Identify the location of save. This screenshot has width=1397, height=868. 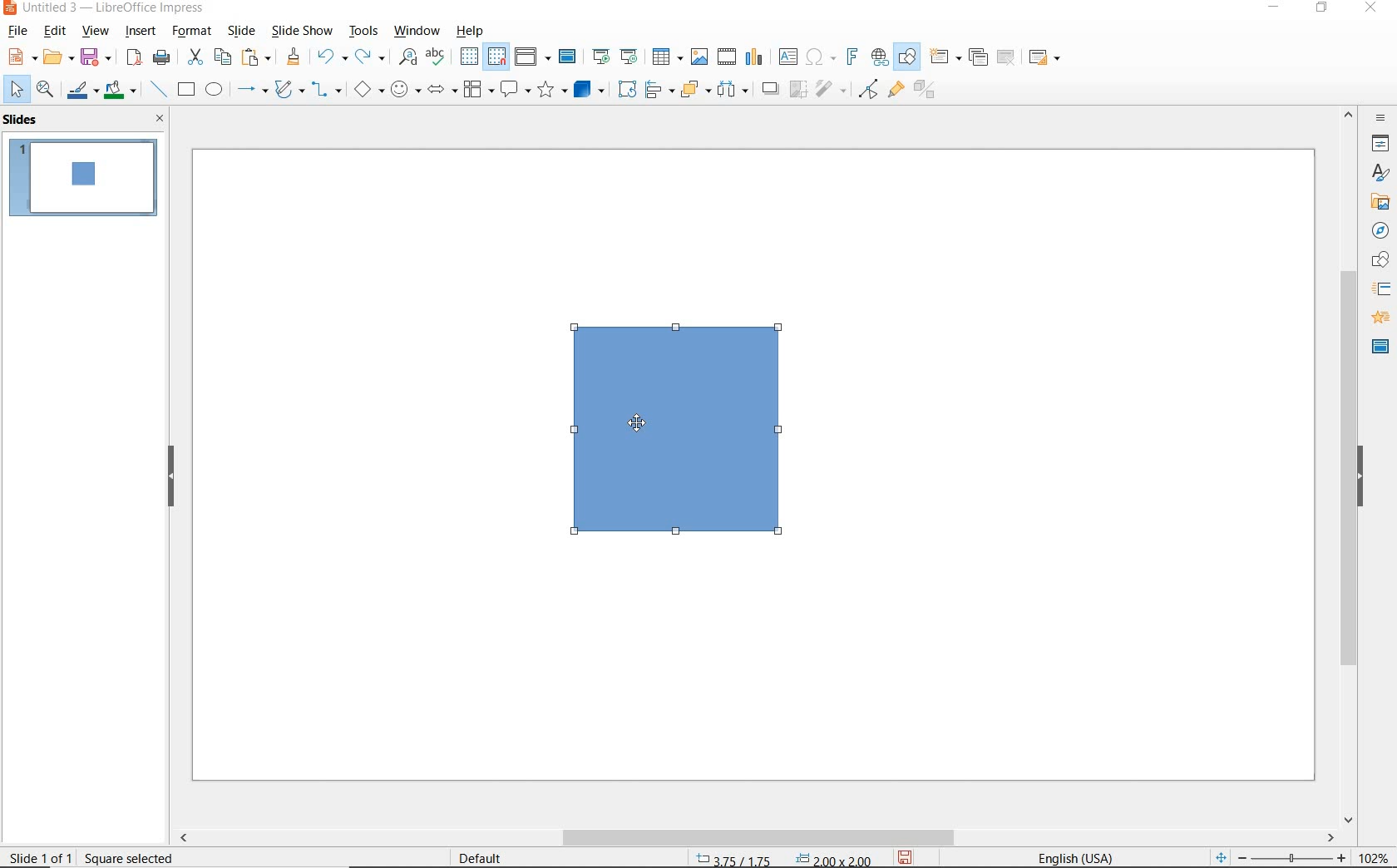
(905, 858).